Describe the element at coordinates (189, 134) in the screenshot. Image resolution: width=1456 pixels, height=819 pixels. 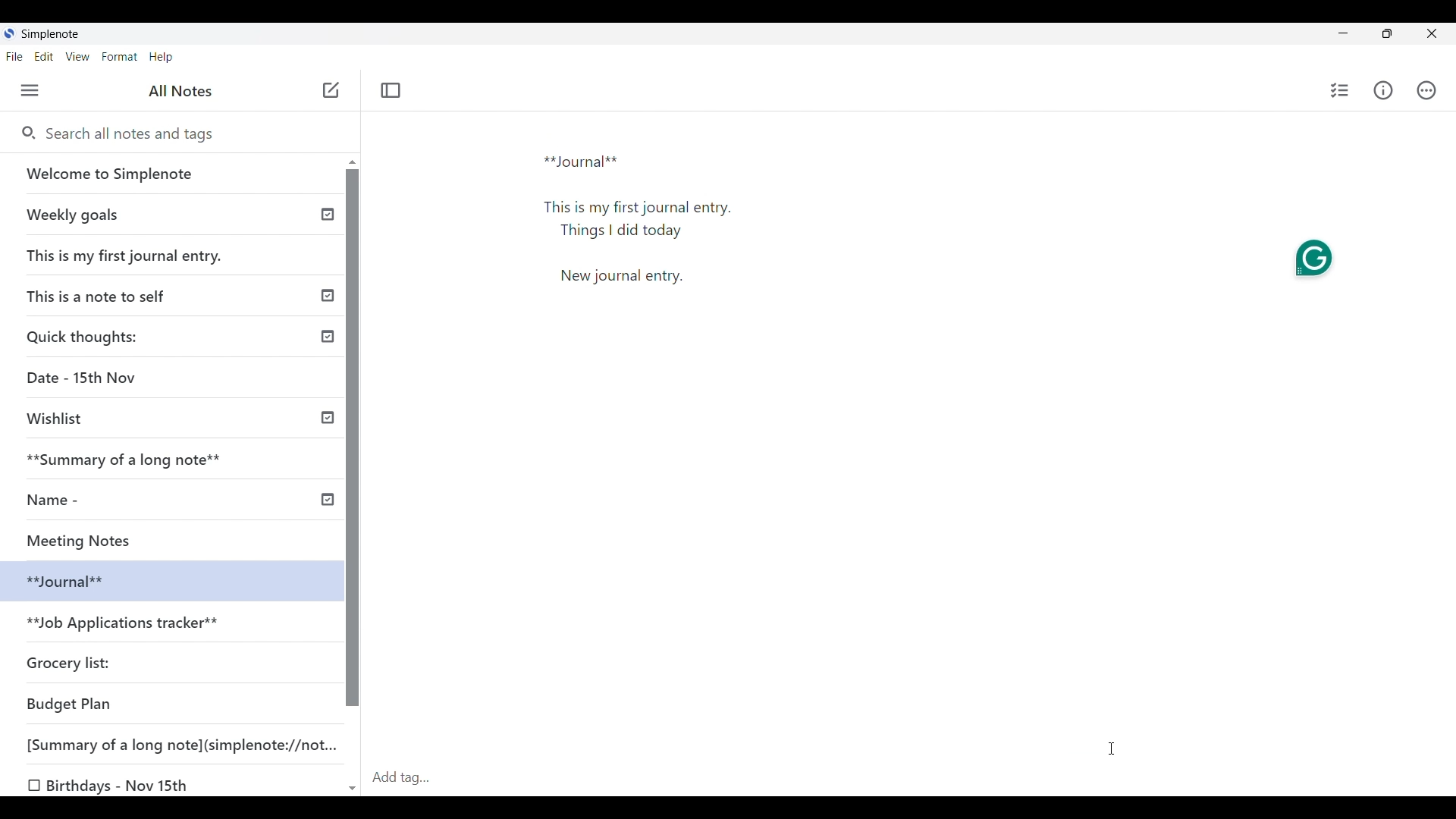
I see `Search all notes and tags` at that location.